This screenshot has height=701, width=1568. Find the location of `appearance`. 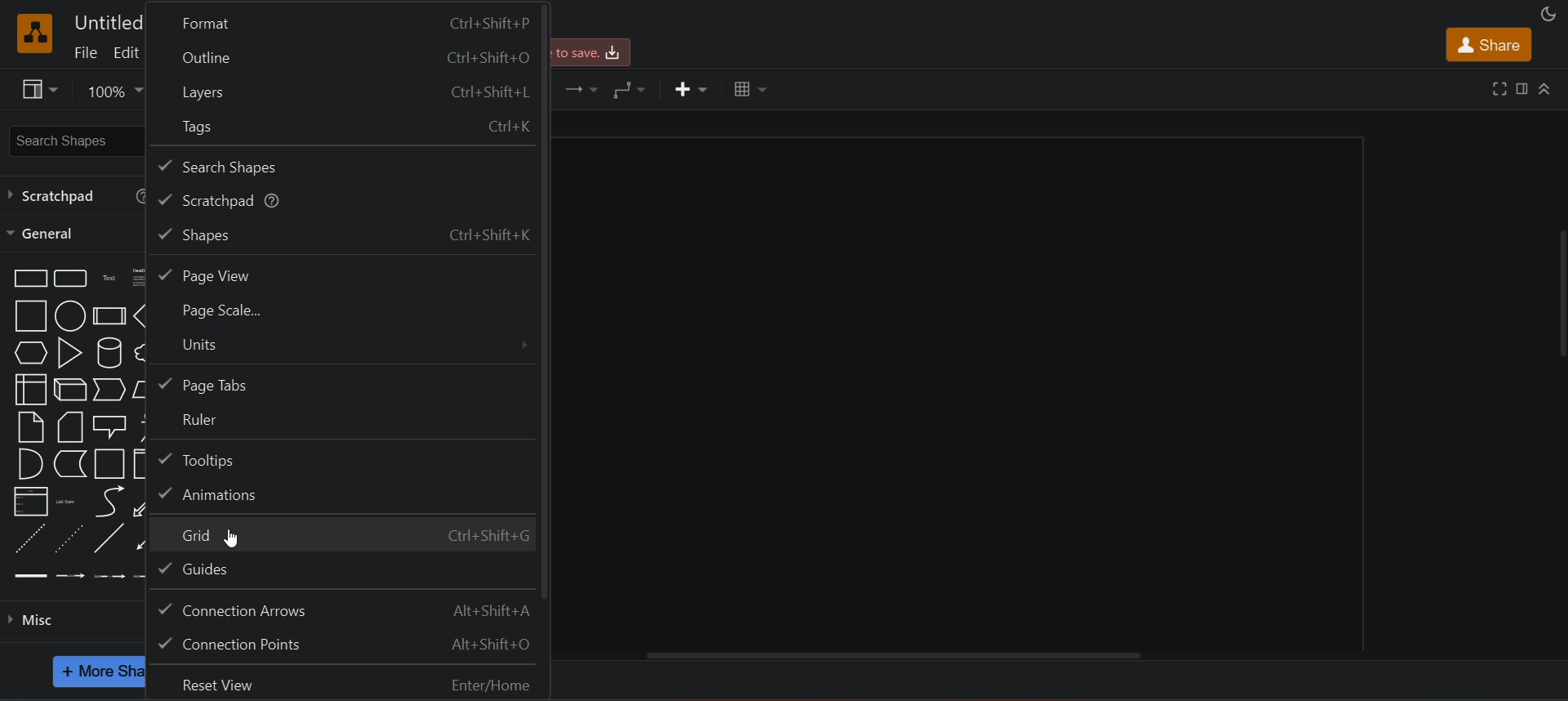

appearance is located at coordinates (1548, 13).